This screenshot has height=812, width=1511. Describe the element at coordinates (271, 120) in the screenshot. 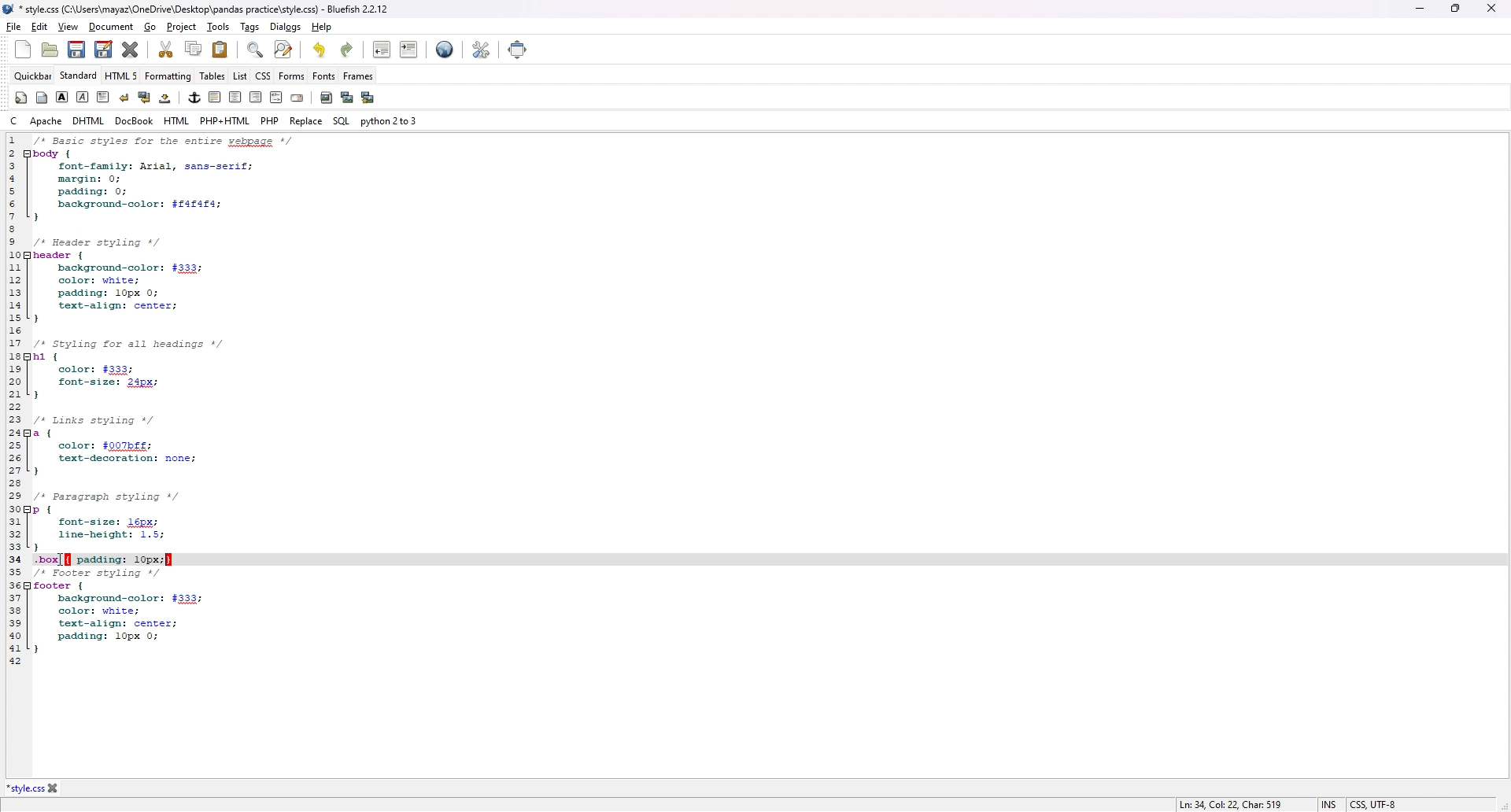

I see `php` at that location.